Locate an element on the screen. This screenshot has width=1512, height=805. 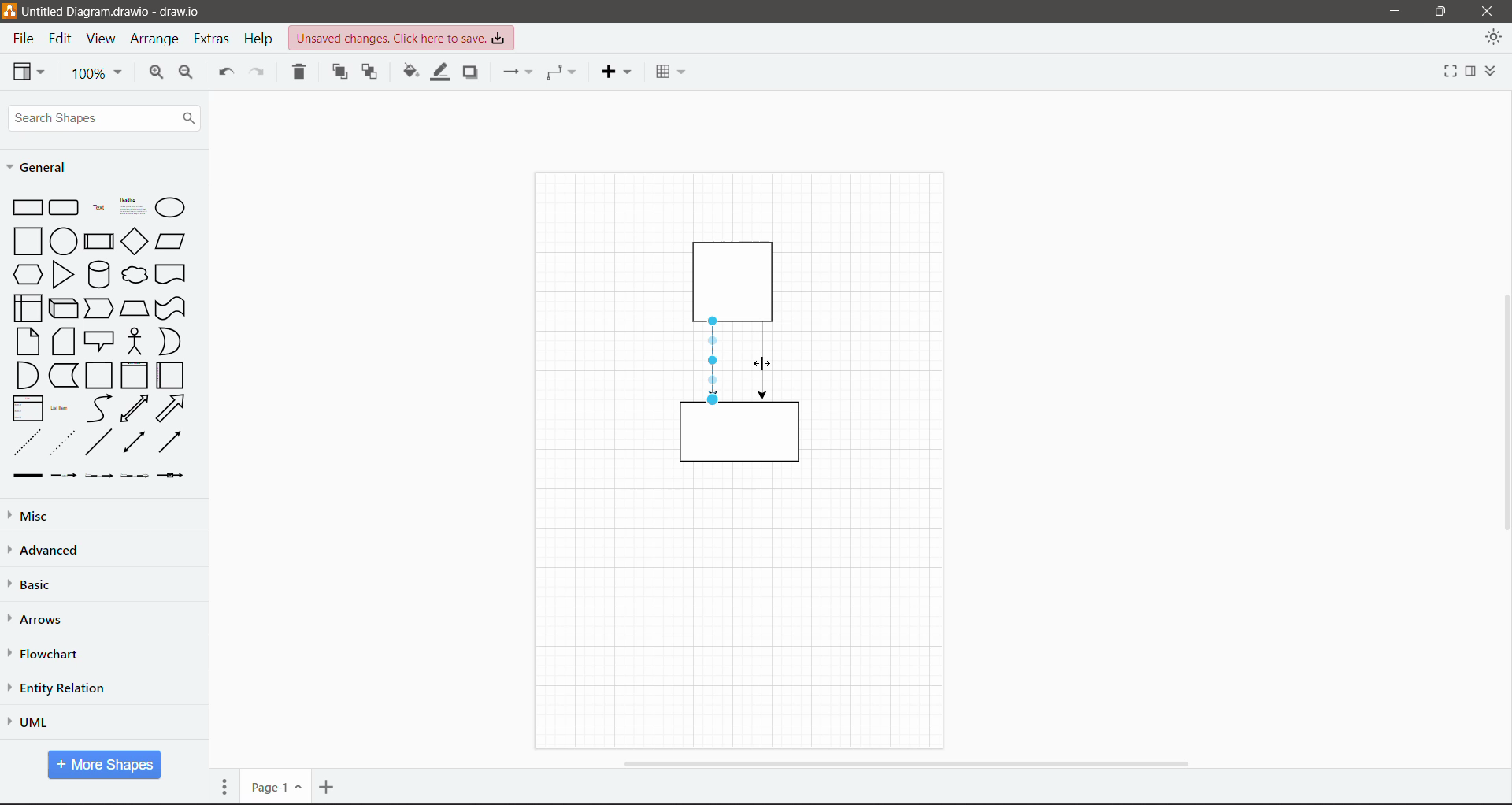
Document is located at coordinates (172, 274).